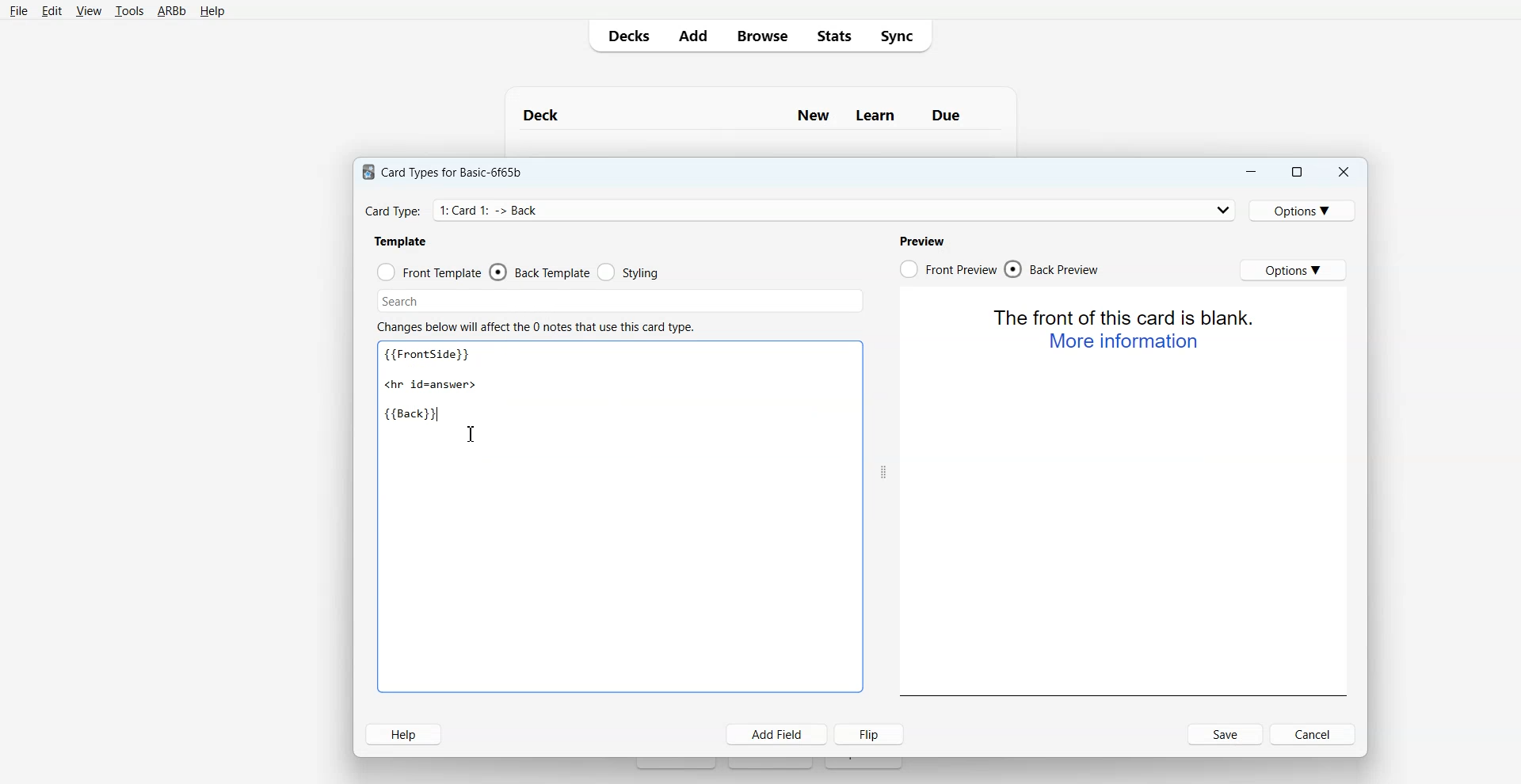  Describe the element at coordinates (444, 385) in the screenshot. I see `Text 1` at that location.